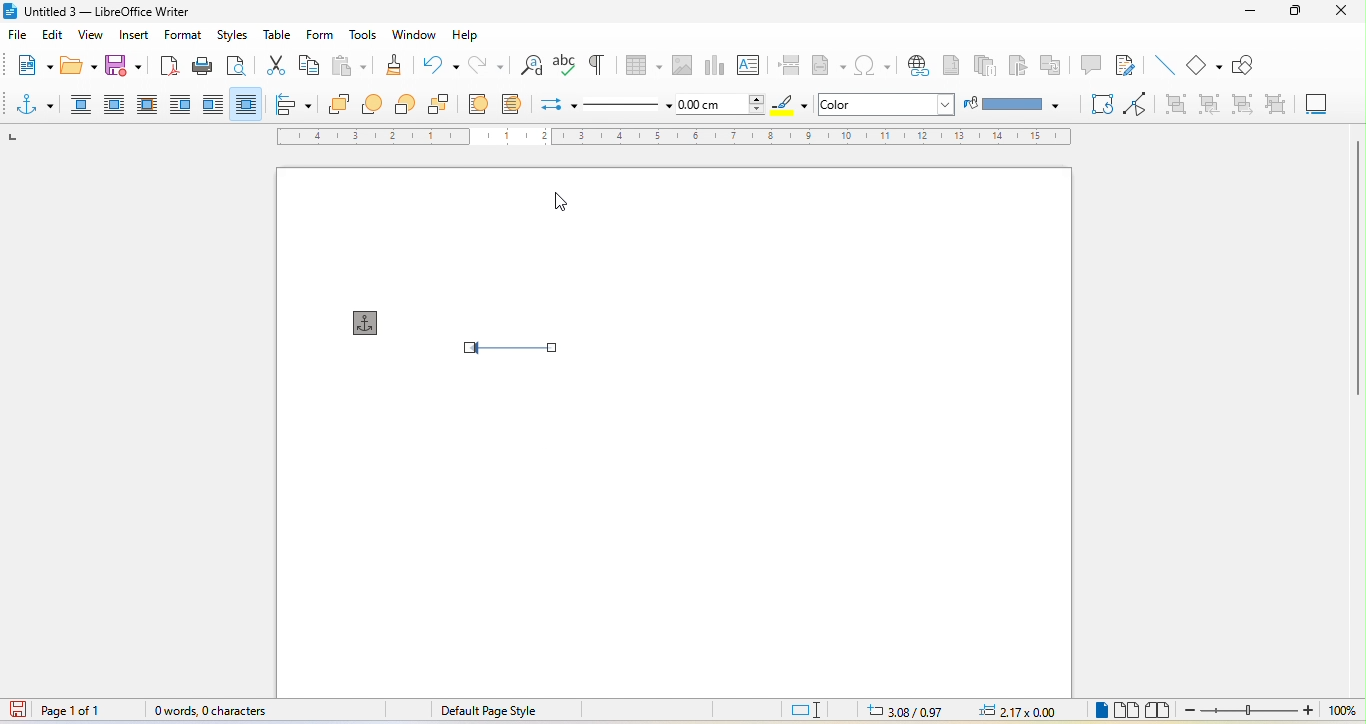 This screenshot has width=1366, height=724. What do you see at coordinates (1294, 13) in the screenshot?
I see `maximize` at bounding box center [1294, 13].